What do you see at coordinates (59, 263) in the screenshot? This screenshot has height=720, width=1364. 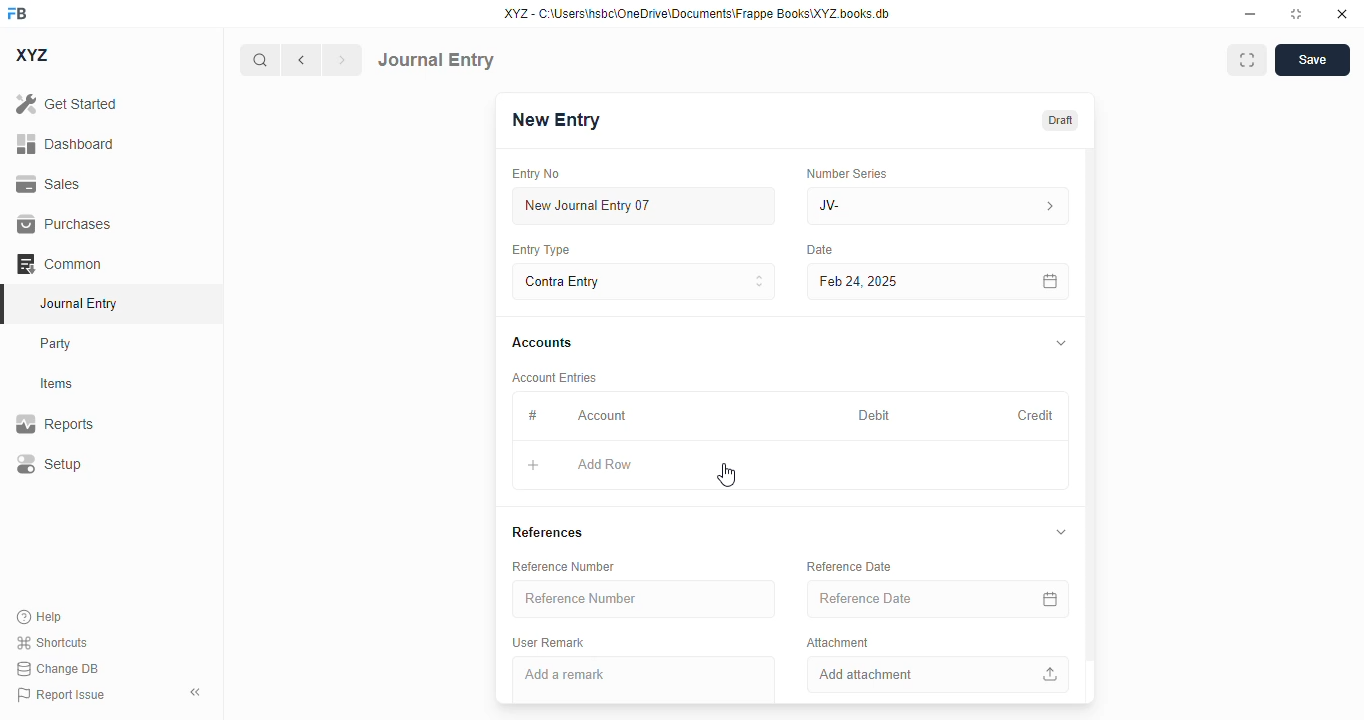 I see `common` at bounding box center [59, 263].